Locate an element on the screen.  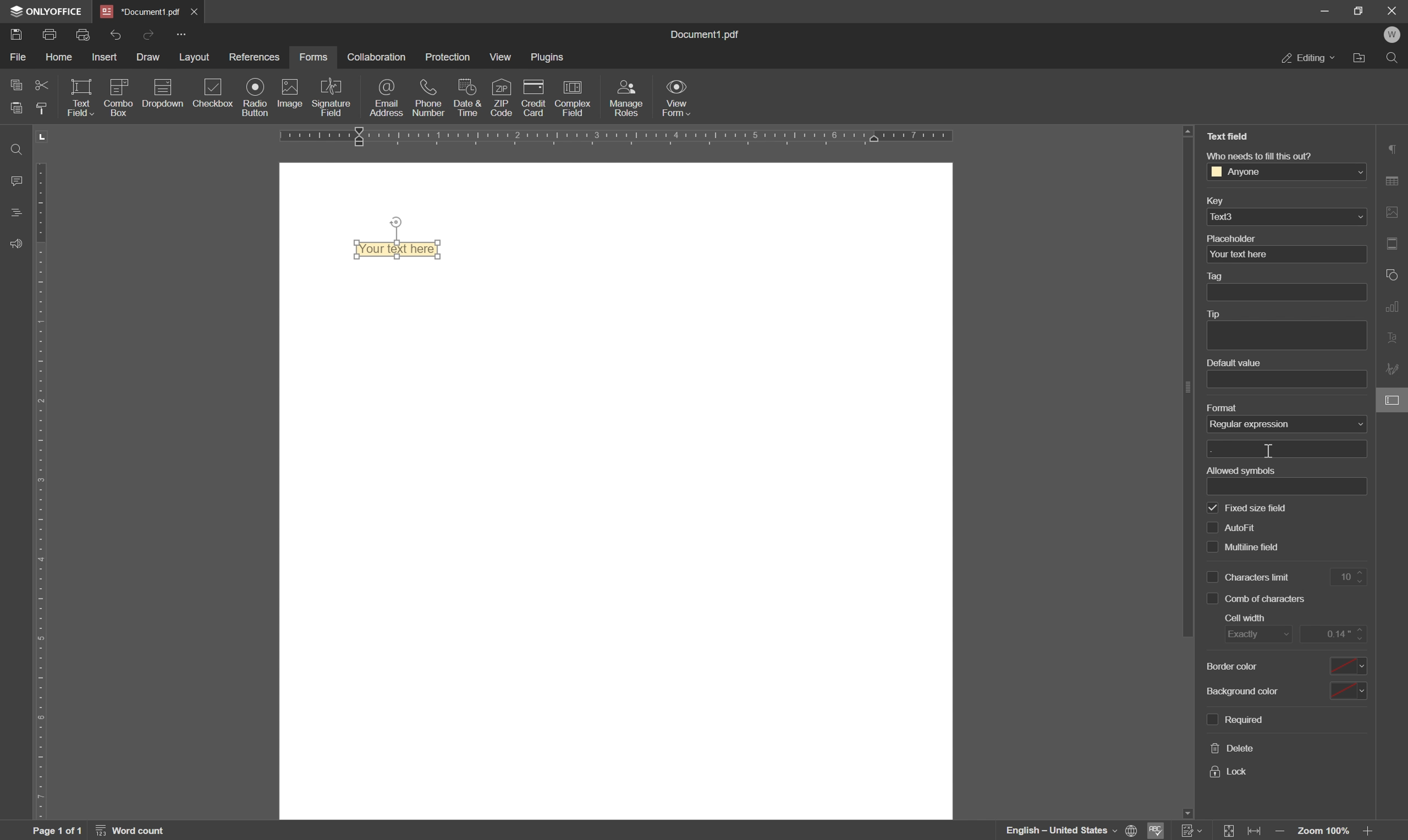
background color is located at coordinates (1241, 667).